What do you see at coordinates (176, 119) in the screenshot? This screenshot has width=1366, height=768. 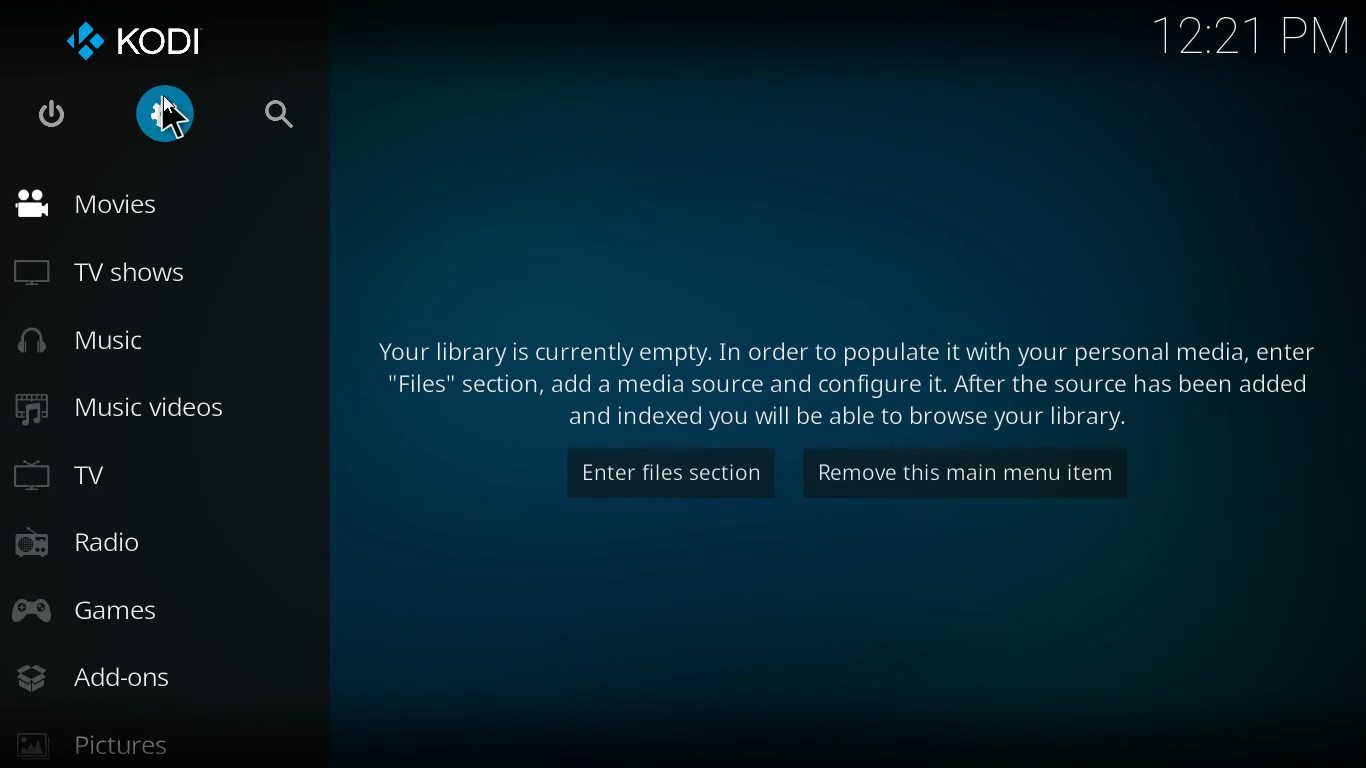 I see `cursor` at bounding box center [176, 119].